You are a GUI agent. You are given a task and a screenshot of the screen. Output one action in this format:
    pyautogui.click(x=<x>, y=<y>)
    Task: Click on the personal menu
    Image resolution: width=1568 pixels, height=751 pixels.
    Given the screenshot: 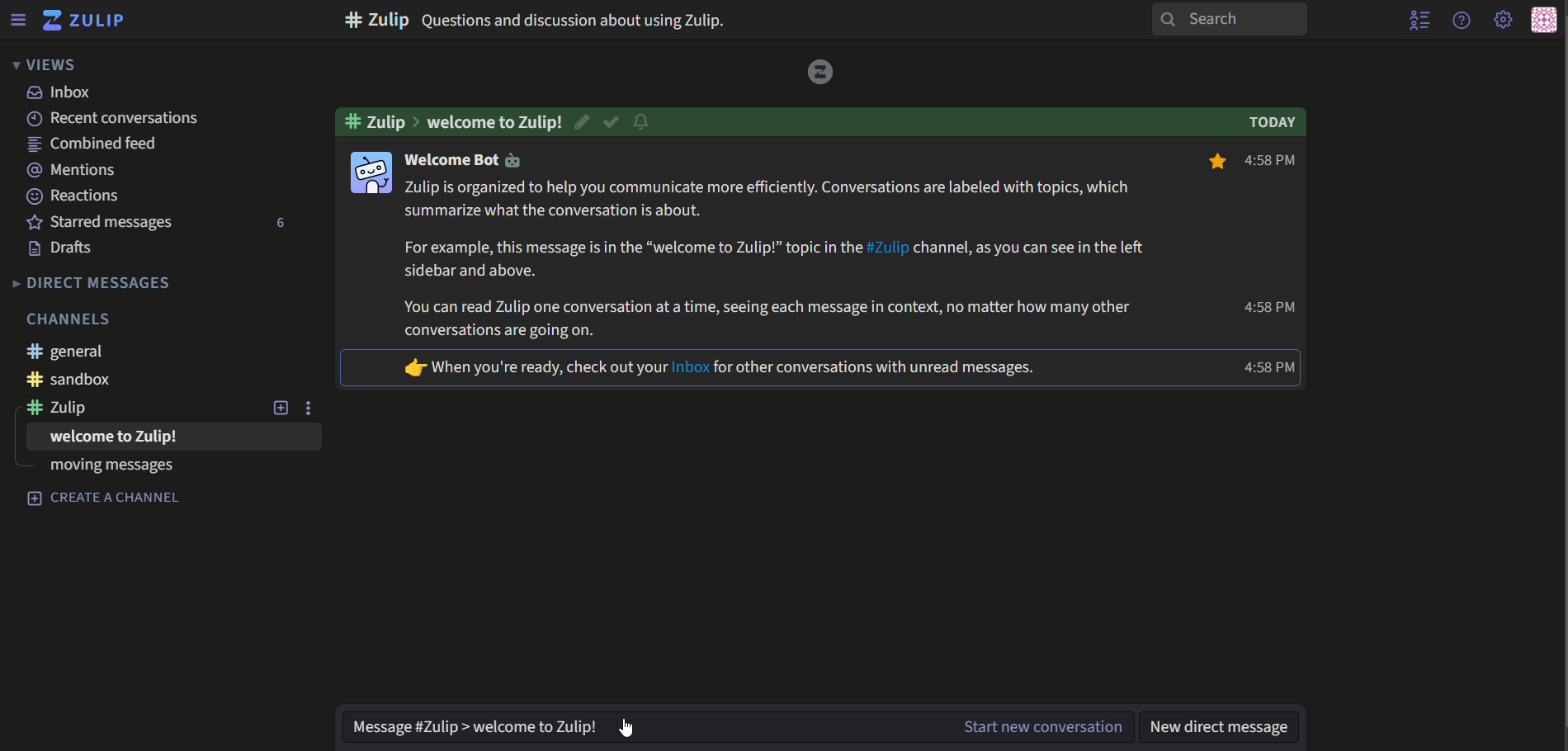 What is the action you would take?
    pyautogui.click(x=1543, y=21)
    